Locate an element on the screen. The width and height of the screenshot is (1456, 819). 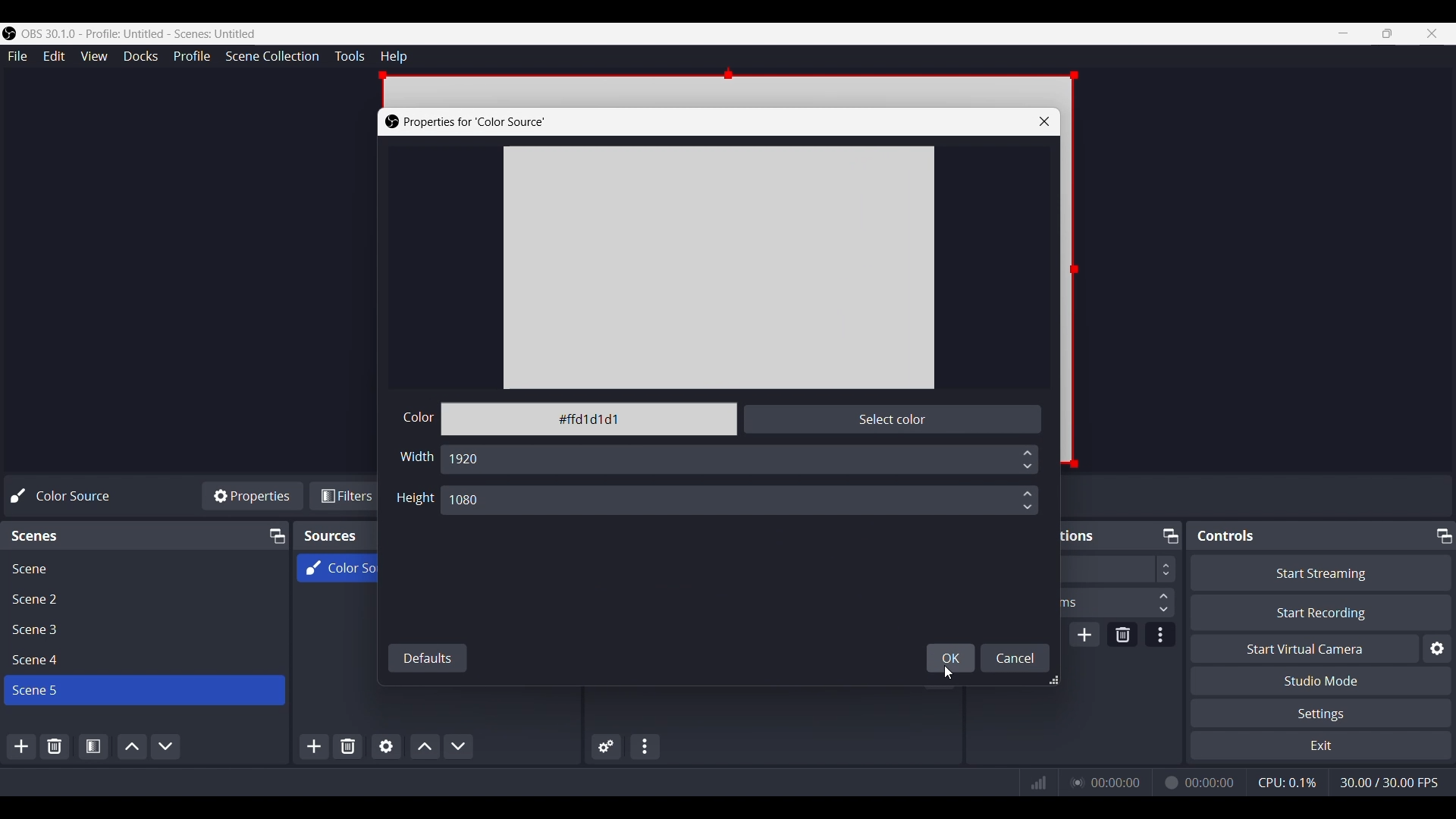
Text is located at coordinates (67, 496).